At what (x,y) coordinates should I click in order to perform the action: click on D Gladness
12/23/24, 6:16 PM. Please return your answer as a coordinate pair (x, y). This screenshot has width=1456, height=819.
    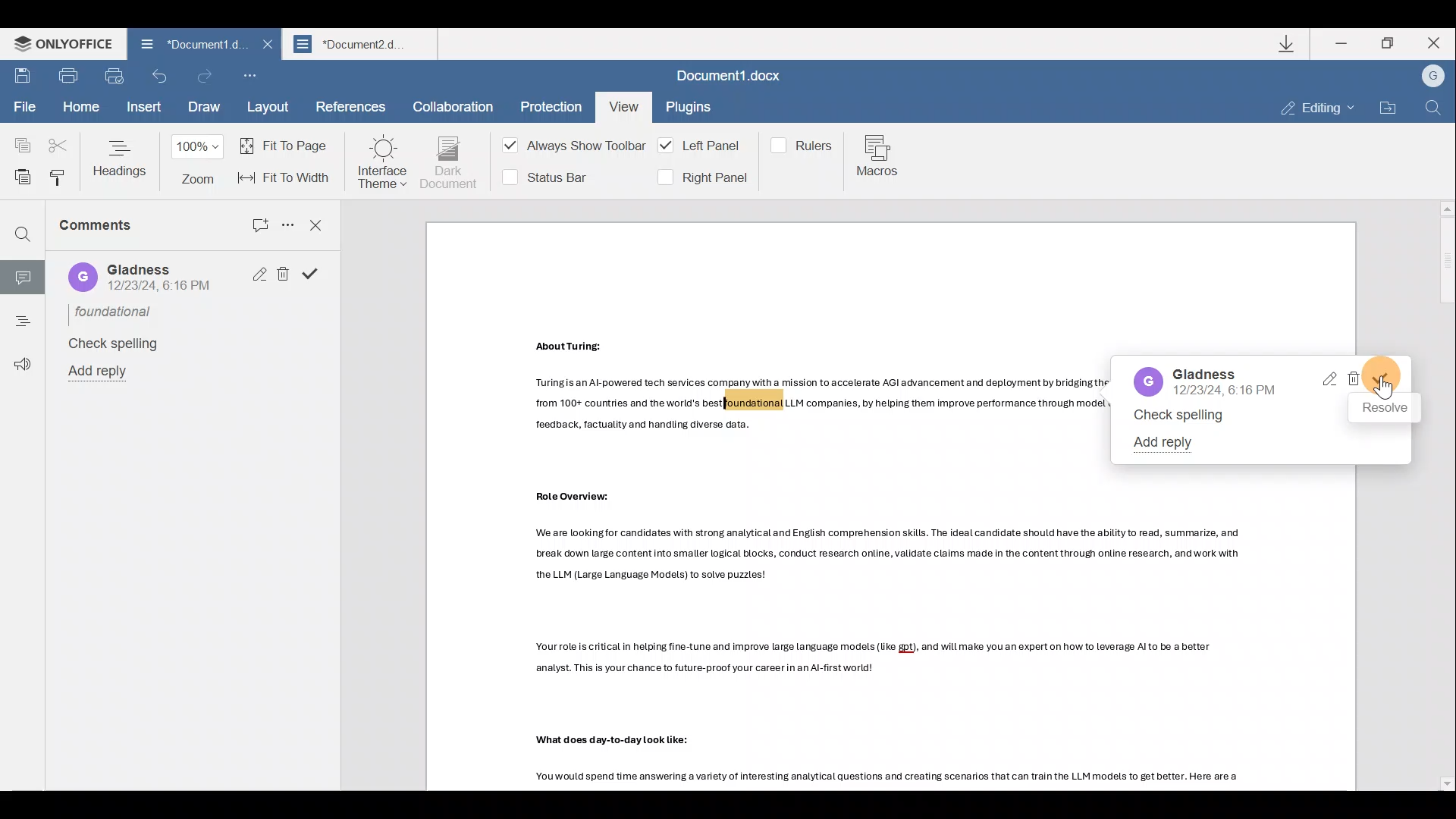
    Looking at the image, I should click on (141, 278).